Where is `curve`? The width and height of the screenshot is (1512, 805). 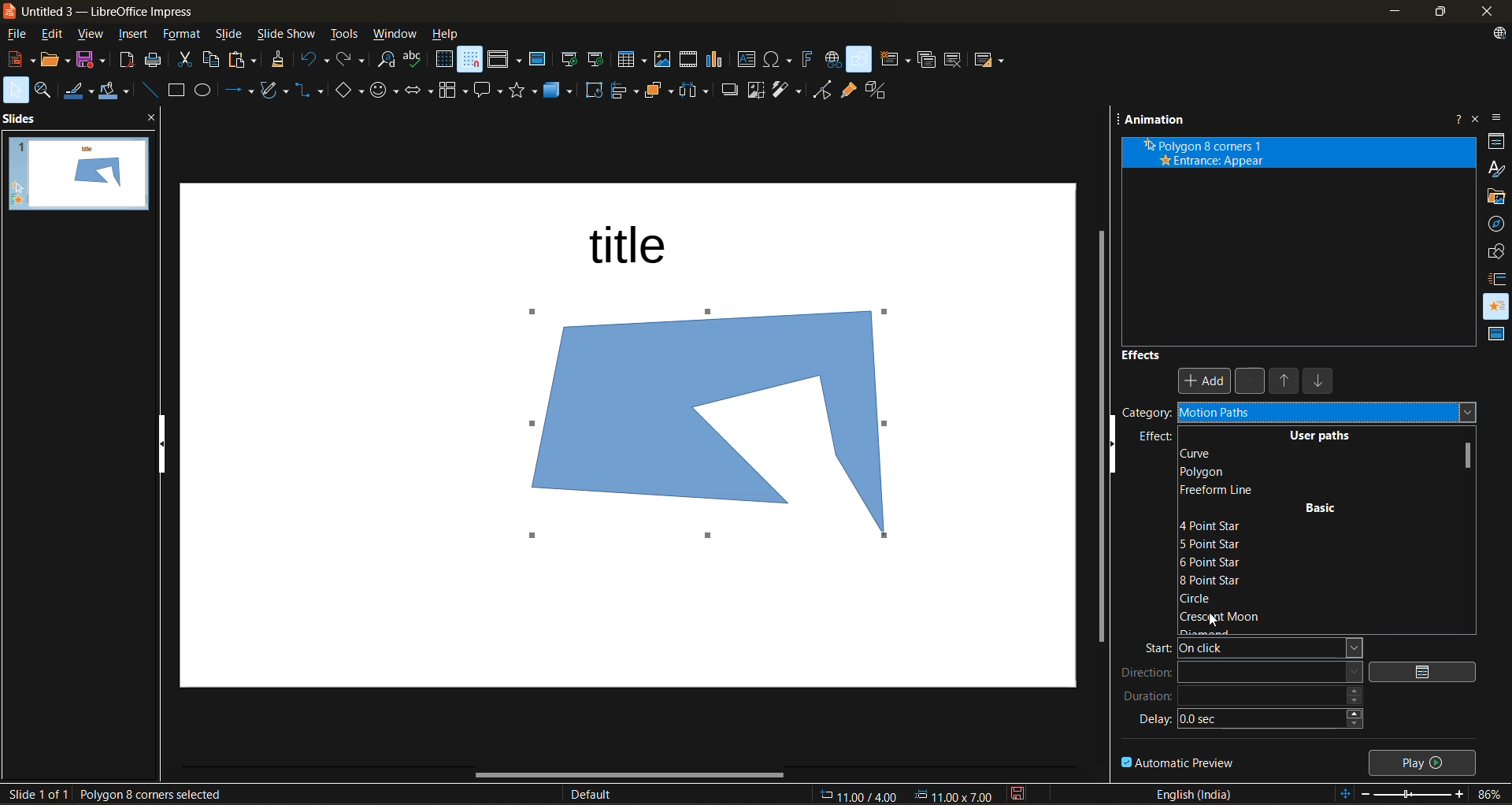 curve is located at coordinates (1201, 454).